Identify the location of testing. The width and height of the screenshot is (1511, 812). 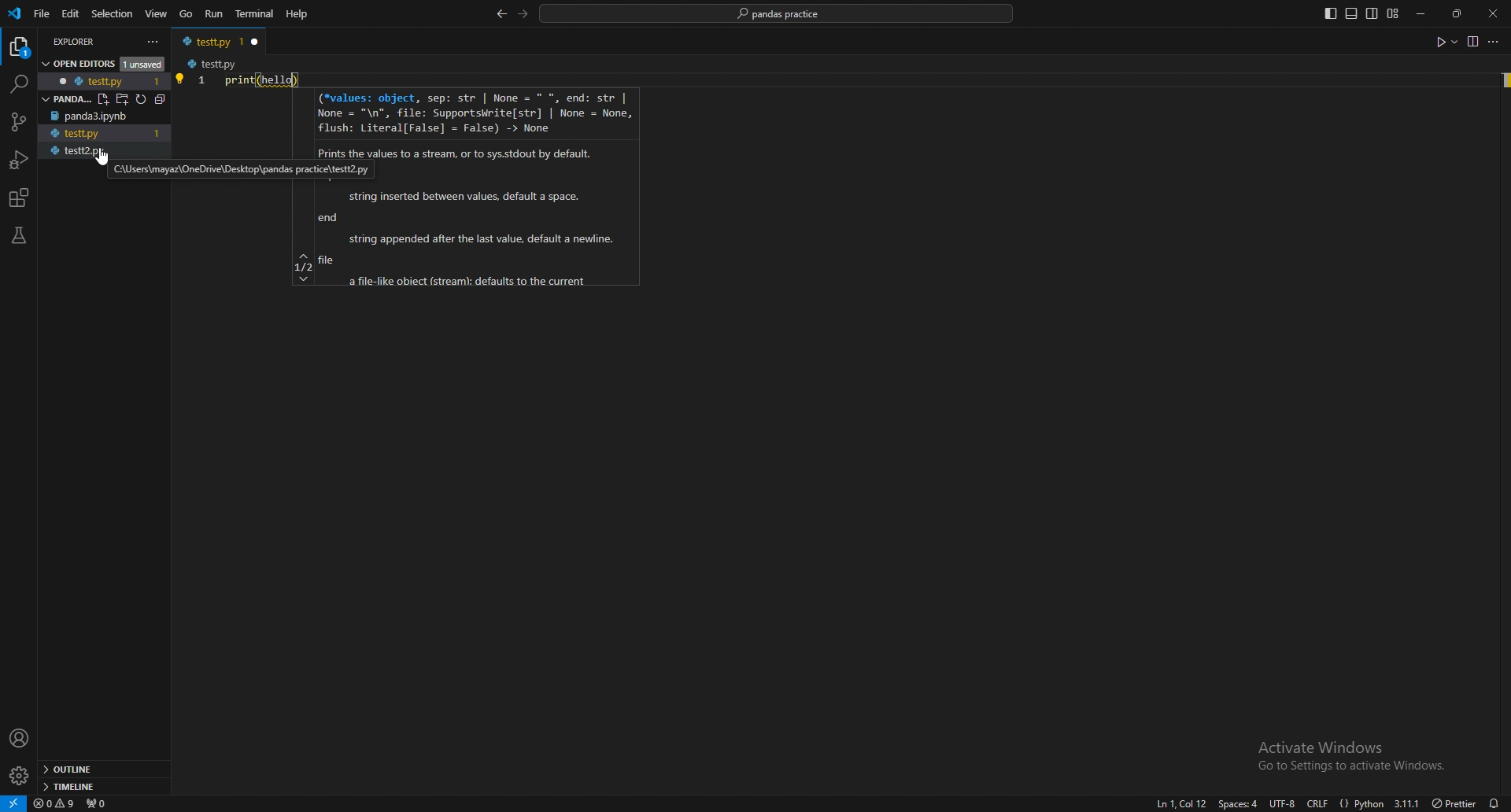
(19, 235).